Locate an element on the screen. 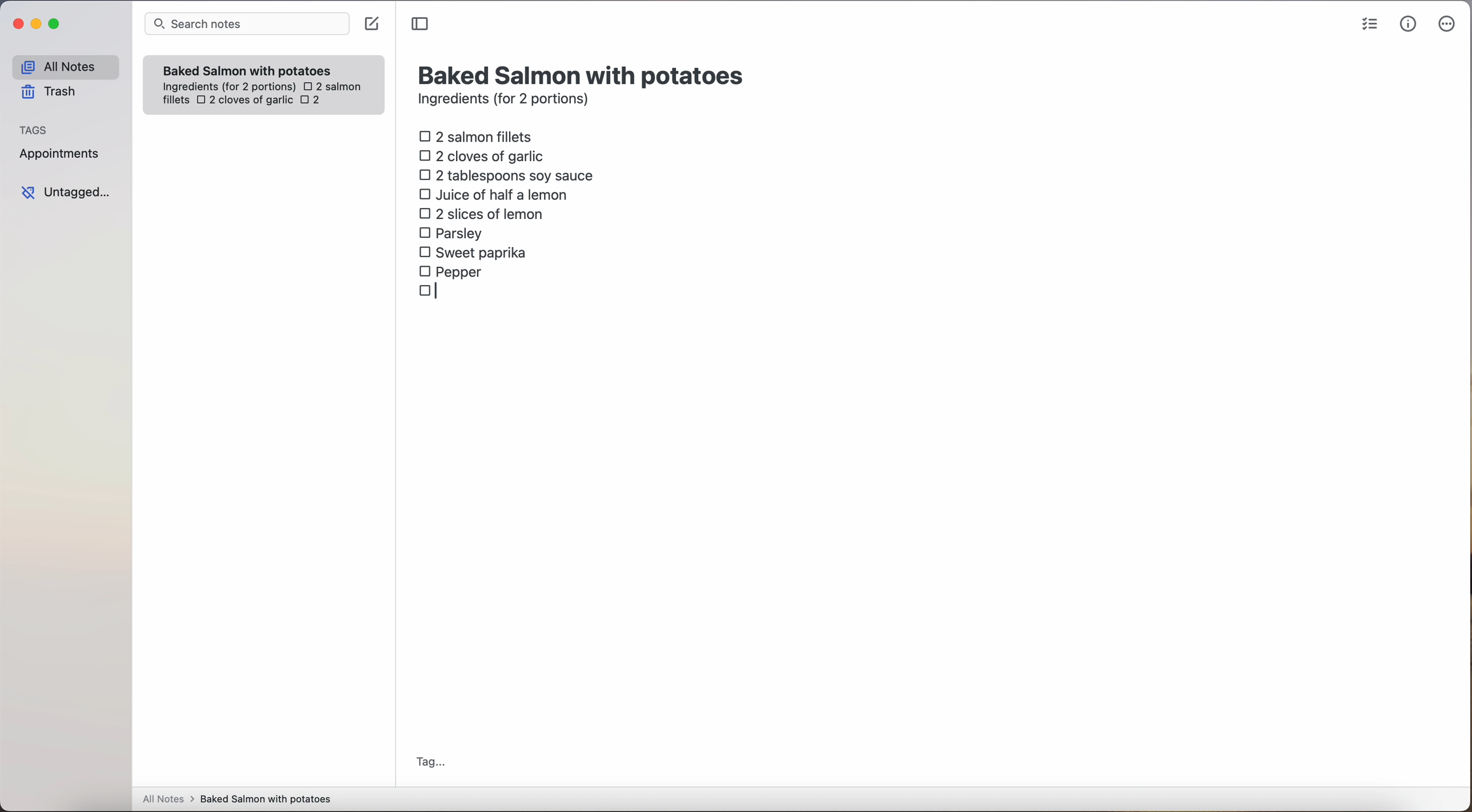 The width and height of the screenshot is (1472, 812). parsley is located at coordinates (451, 232).